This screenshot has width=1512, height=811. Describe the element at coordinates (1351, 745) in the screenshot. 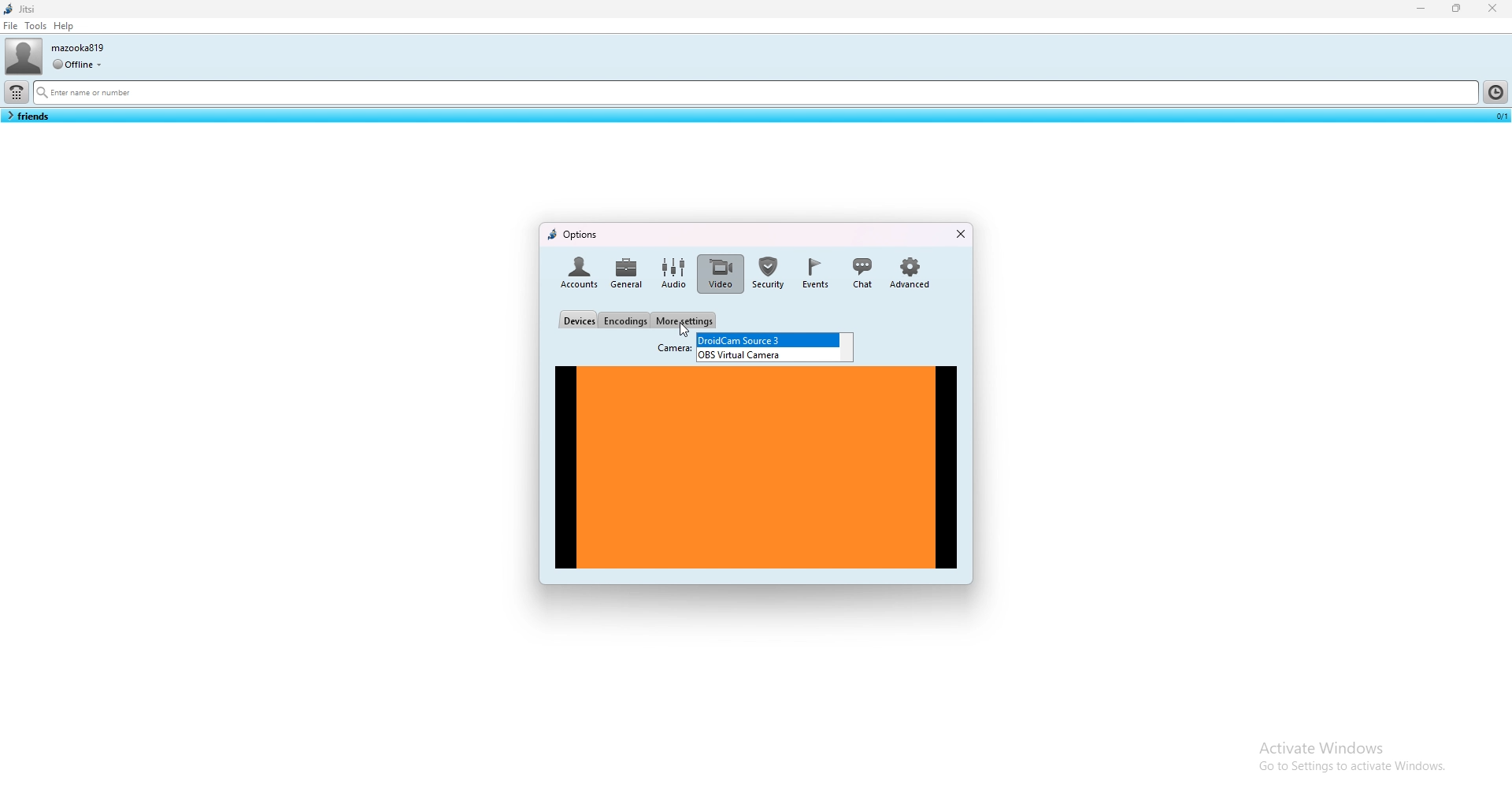

I see `Activate windows` at that location.